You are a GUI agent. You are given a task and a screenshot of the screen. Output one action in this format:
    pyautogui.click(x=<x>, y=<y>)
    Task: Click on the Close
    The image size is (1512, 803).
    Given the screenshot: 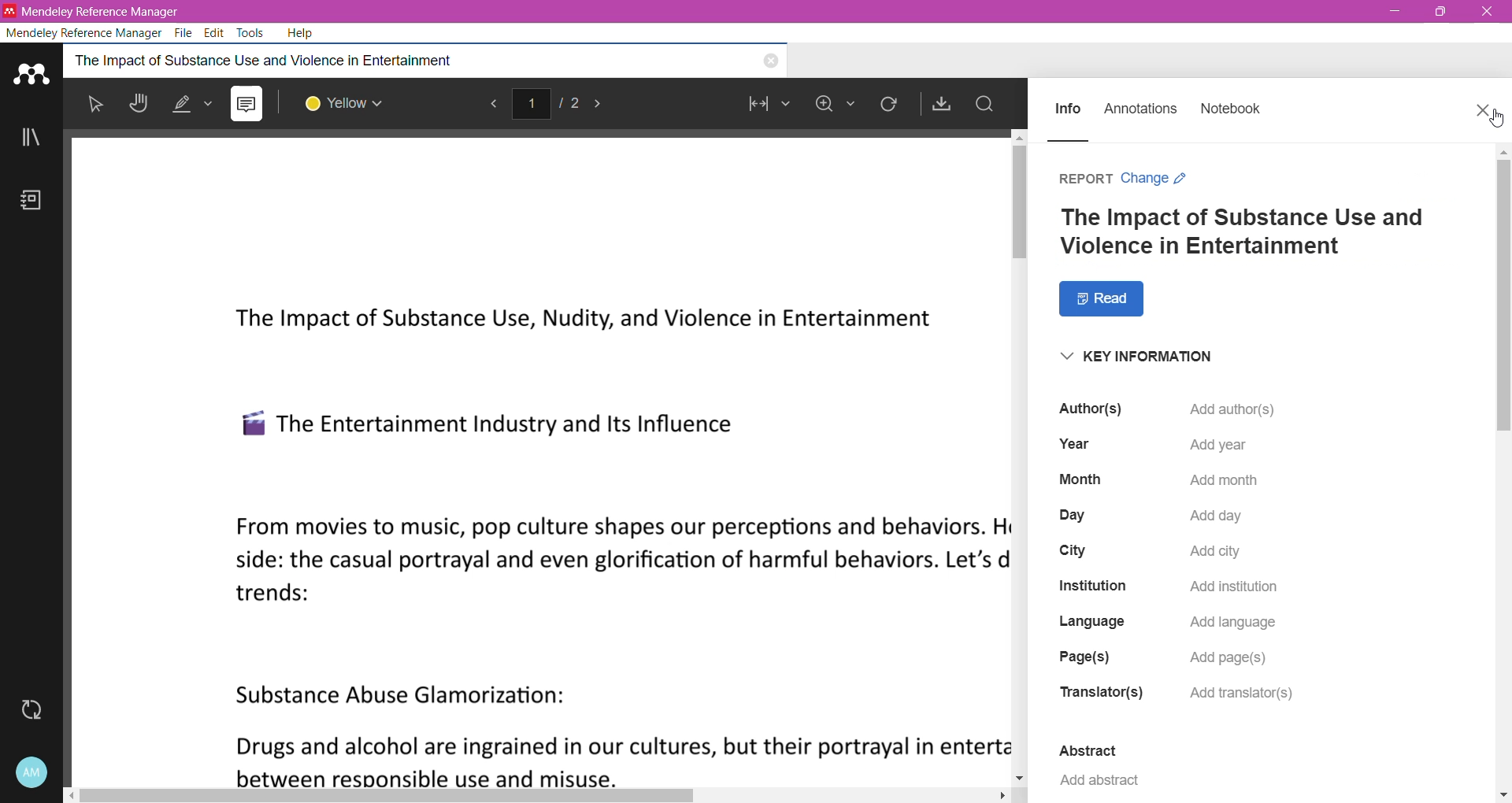 What is the action you would take?
    pyautogui.click(x=1487, y=12)
    